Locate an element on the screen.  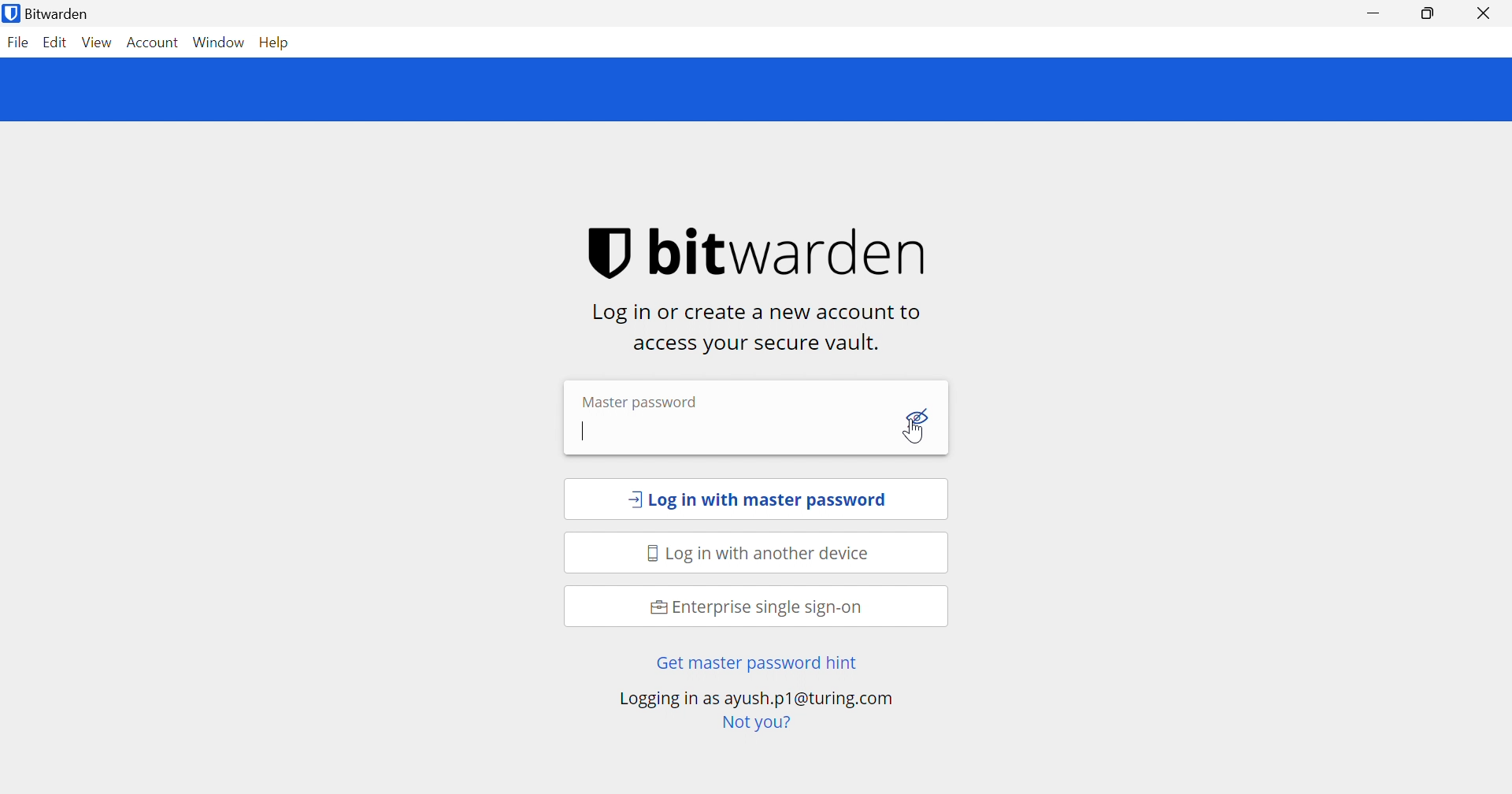
Not you? is located at coordinates (755, 722).